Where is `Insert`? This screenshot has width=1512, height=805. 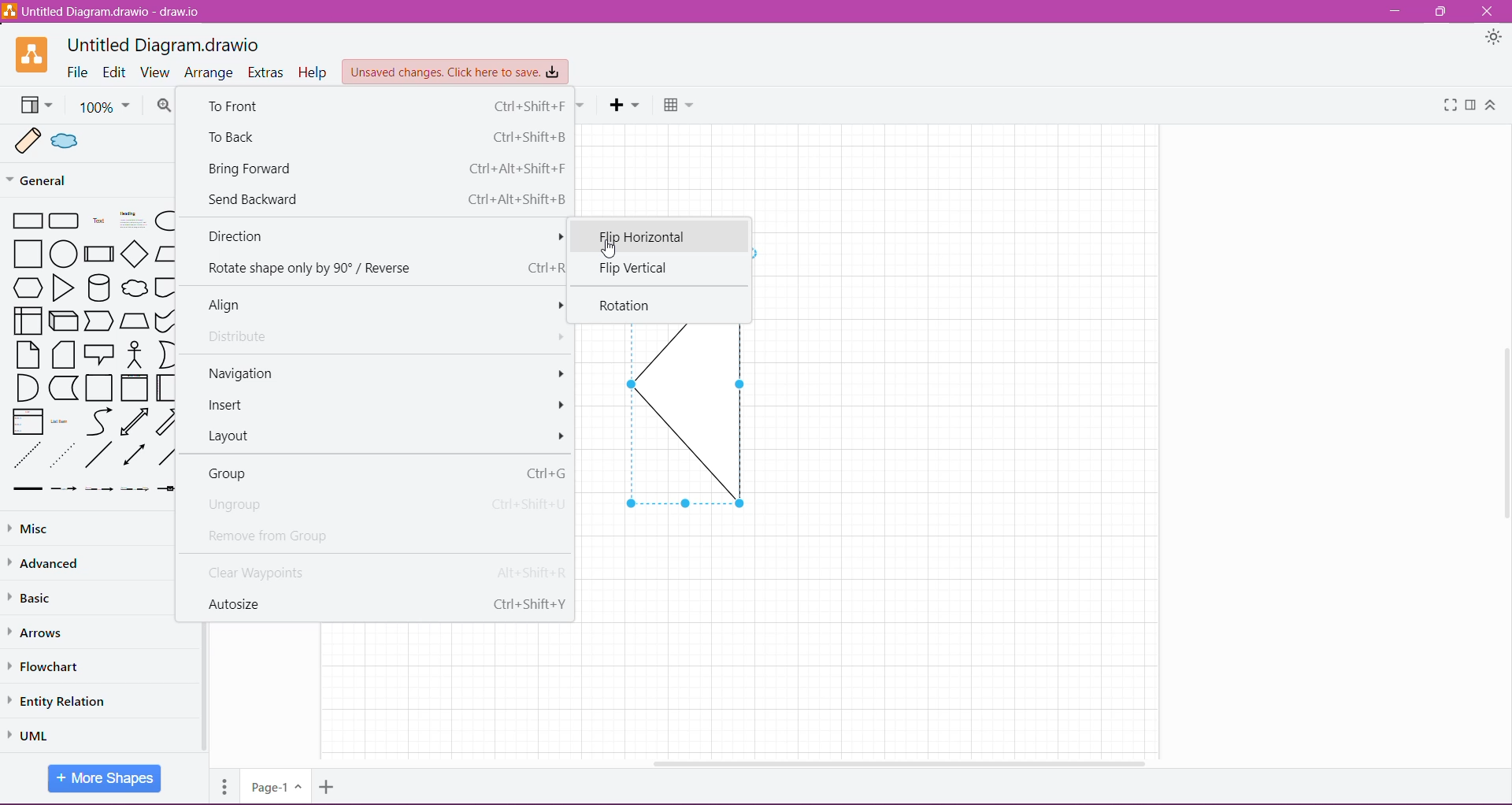 Insert is located at coordinates (387, 406).